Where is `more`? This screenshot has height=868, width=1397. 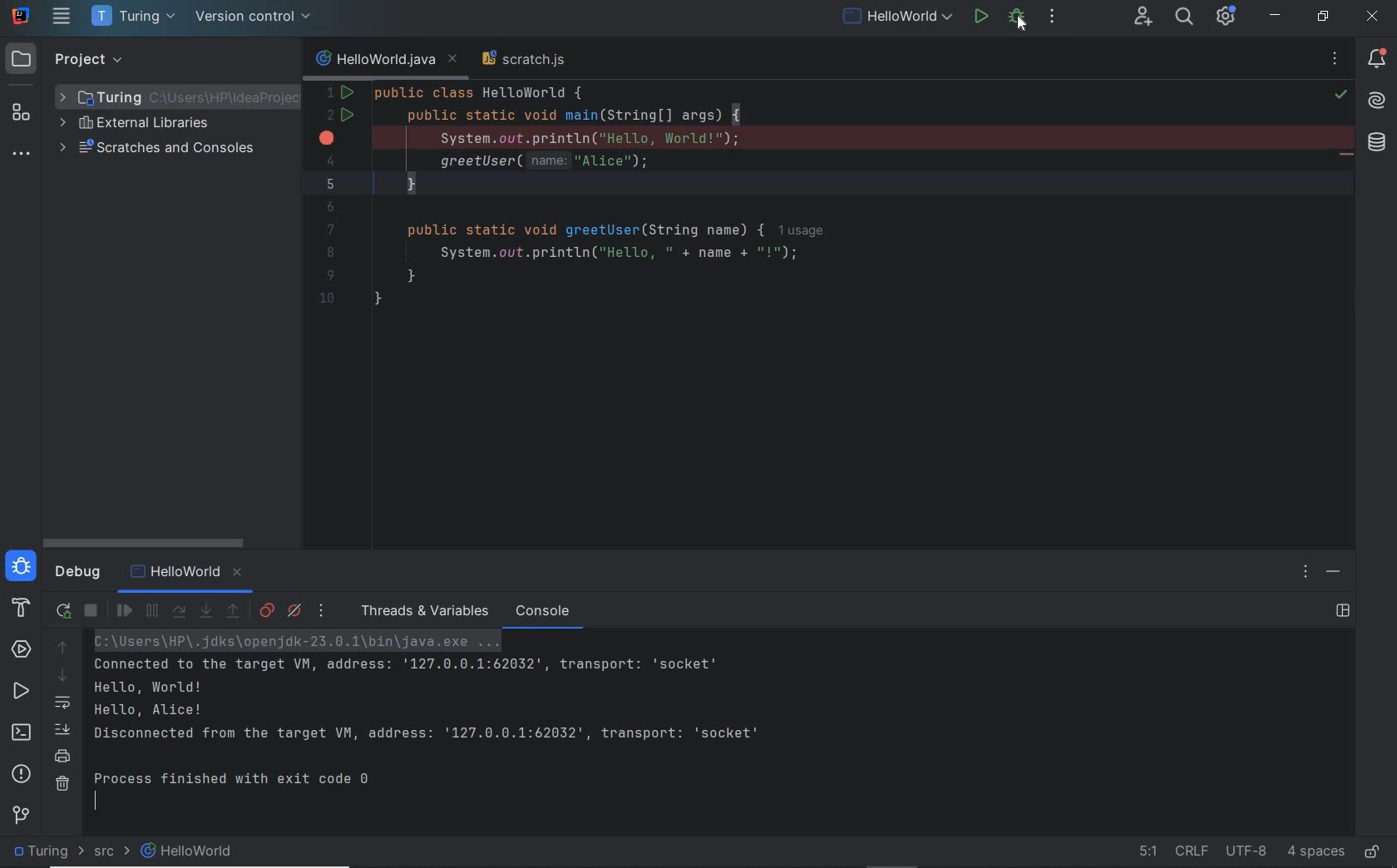
more is located at coordinates (323, 610).